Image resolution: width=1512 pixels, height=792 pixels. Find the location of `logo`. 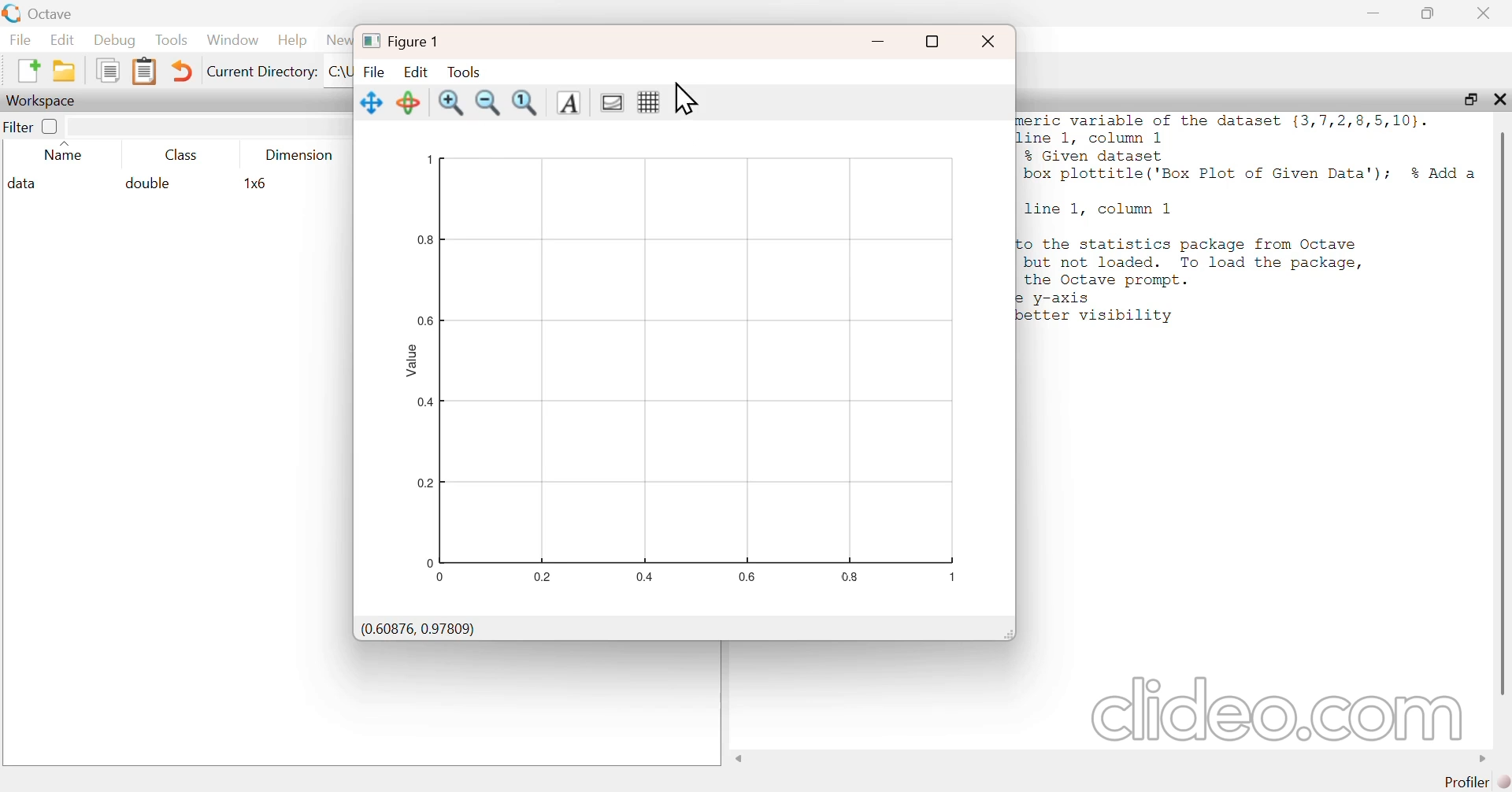

logo is located at coordinates (10, 13).